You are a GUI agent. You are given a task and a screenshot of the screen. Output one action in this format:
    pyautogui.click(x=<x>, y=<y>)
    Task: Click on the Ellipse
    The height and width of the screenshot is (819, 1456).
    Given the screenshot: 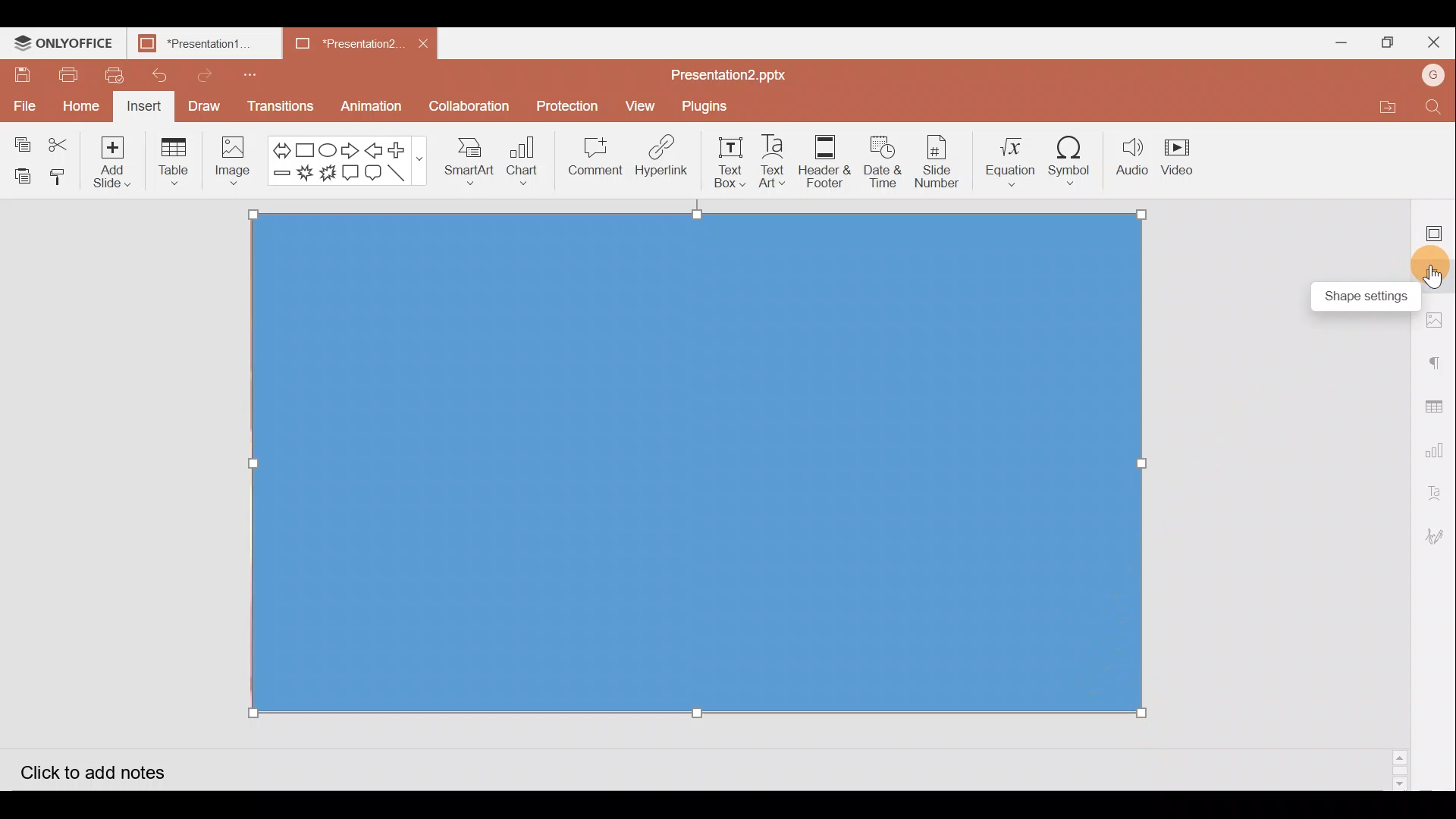 What is the action you would take?
    pyautogui.click(x=329, y=146)
    